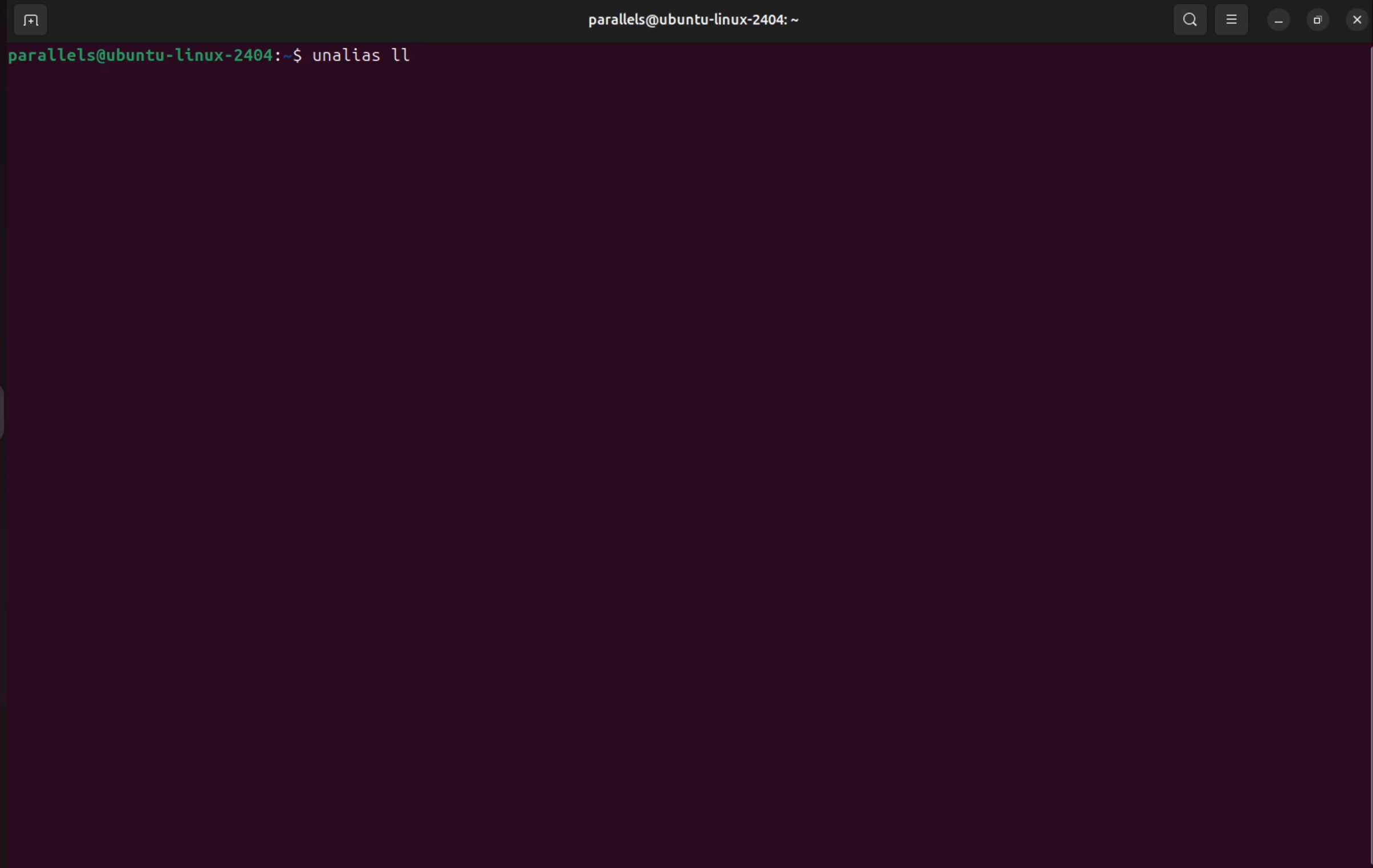 The image size is (1373, 868). Describe the element at coordinates (1317, 17) in the screenshot. I see `resize` at that location.